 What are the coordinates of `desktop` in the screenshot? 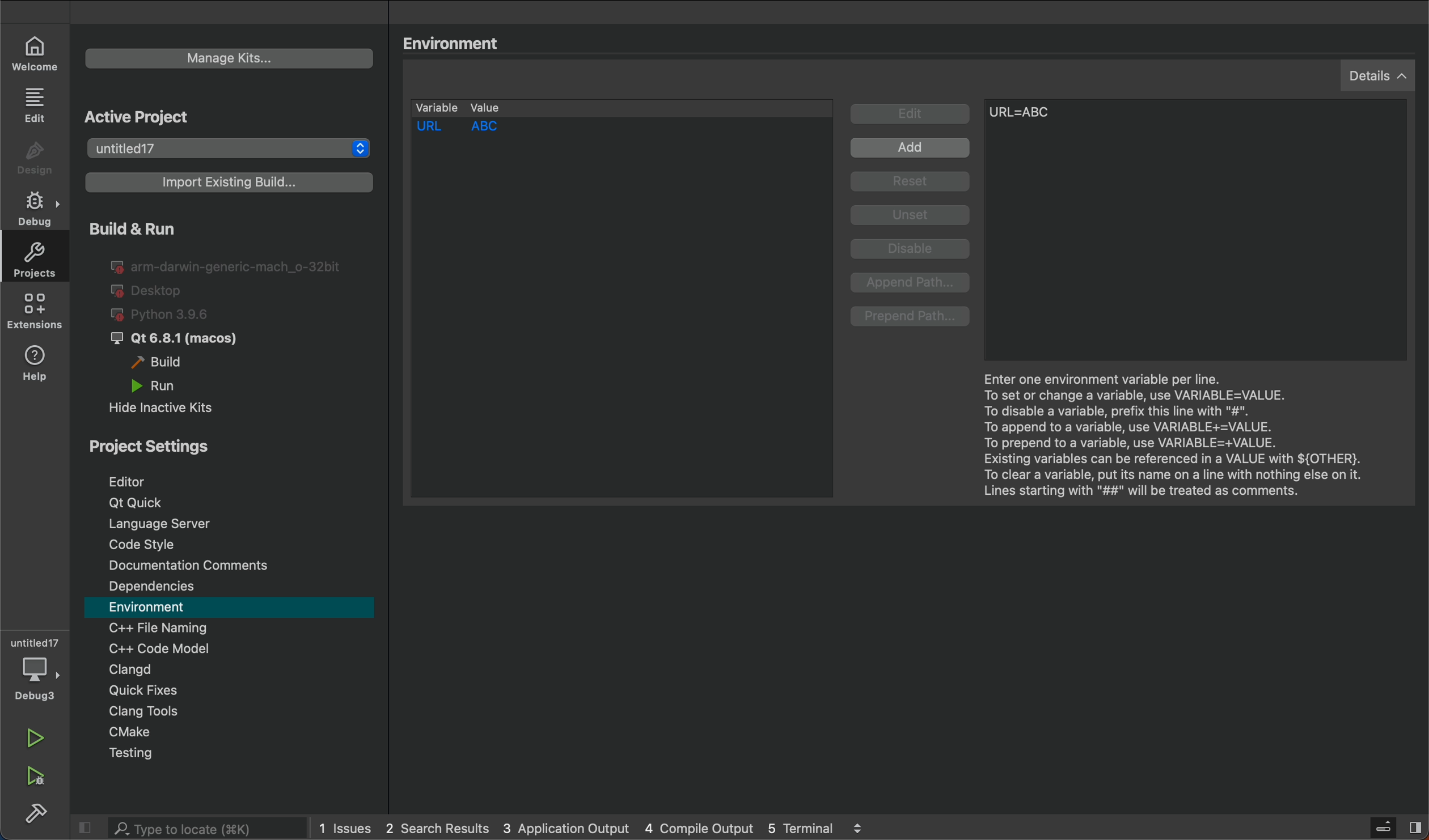 It's located at (150, 291).